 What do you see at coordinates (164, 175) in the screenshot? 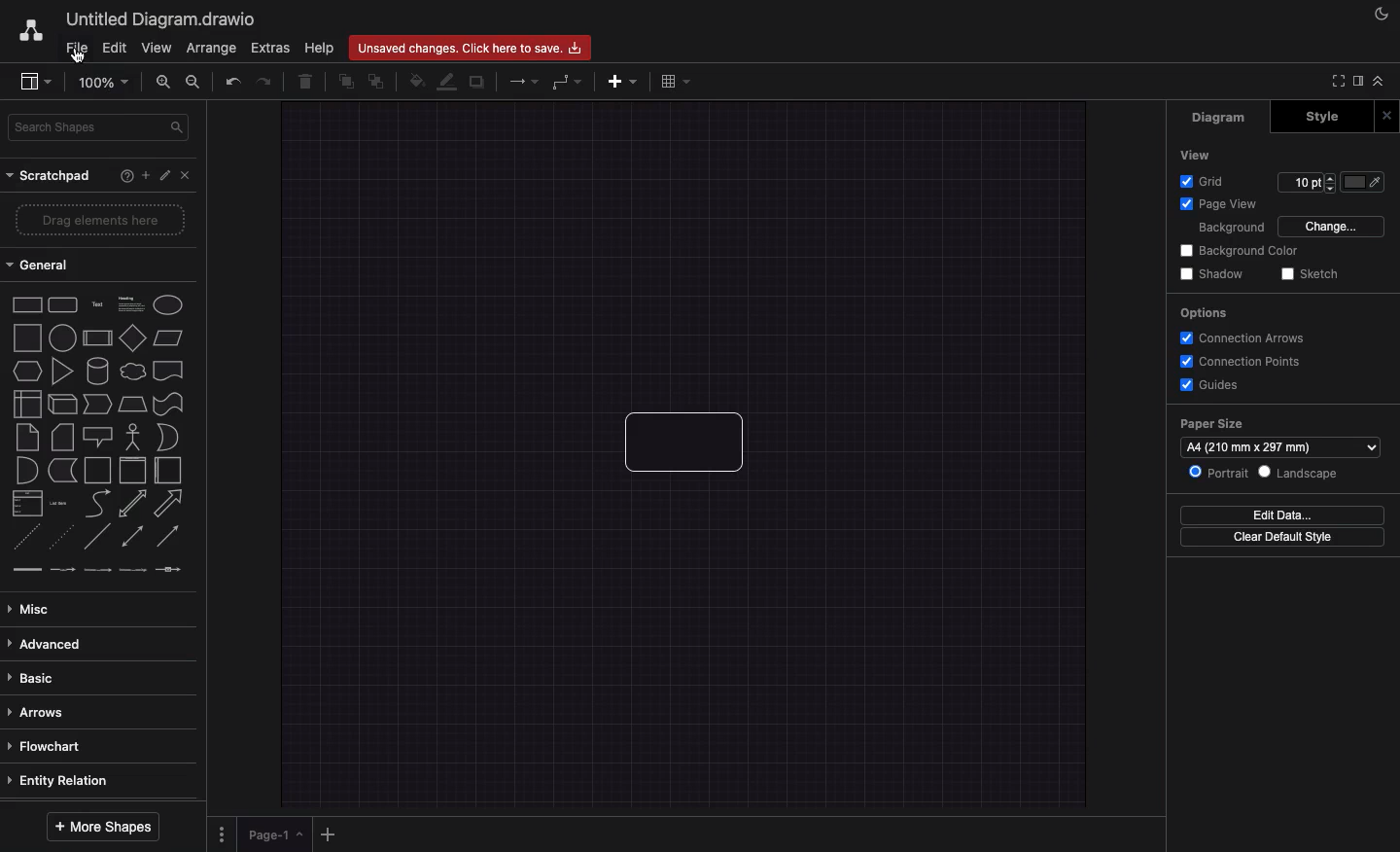
I see `Edit` at bounding box center [164, 175].